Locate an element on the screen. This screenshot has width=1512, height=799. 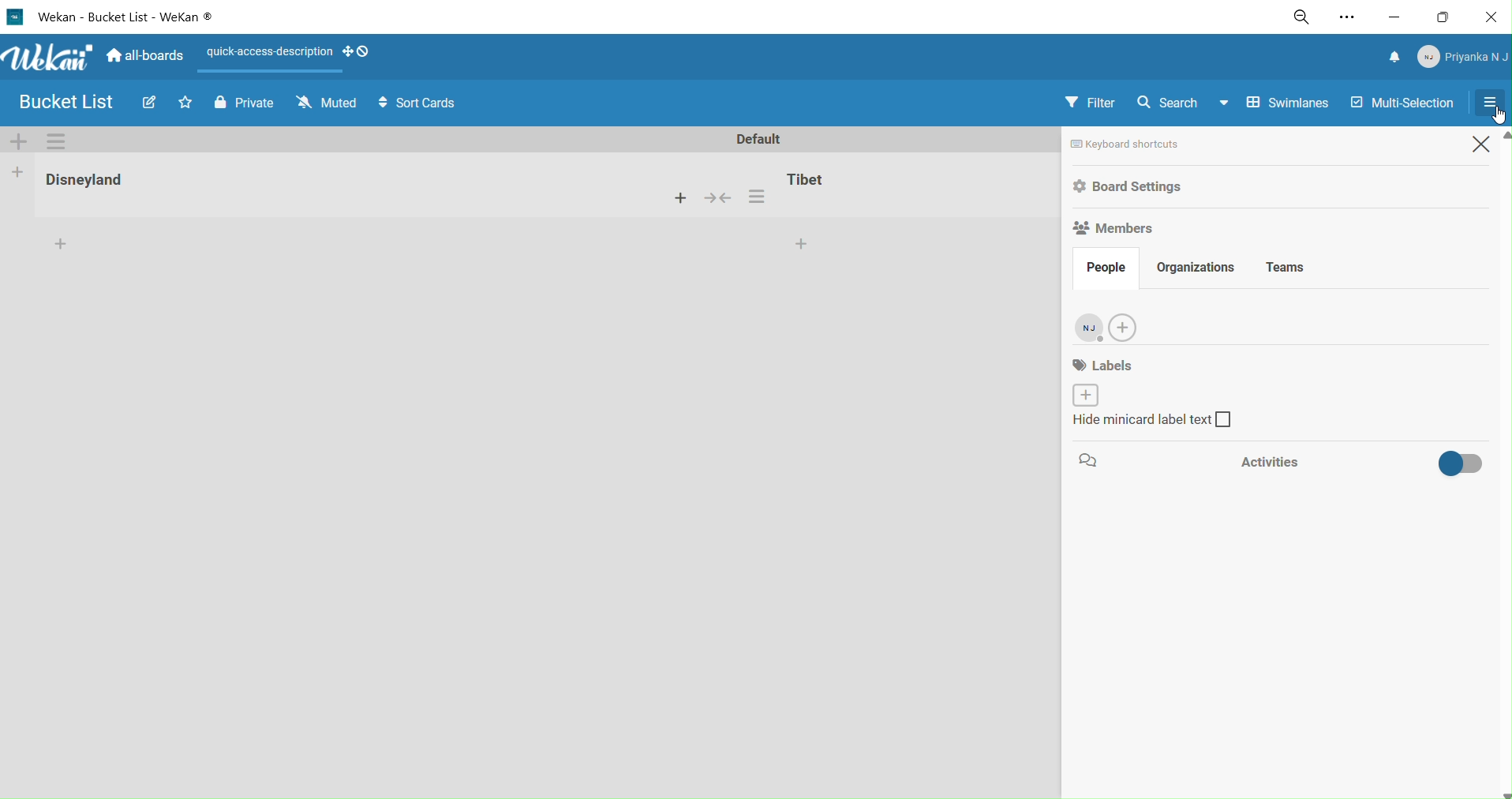
settings and more is located at coordinates (1345, 18).